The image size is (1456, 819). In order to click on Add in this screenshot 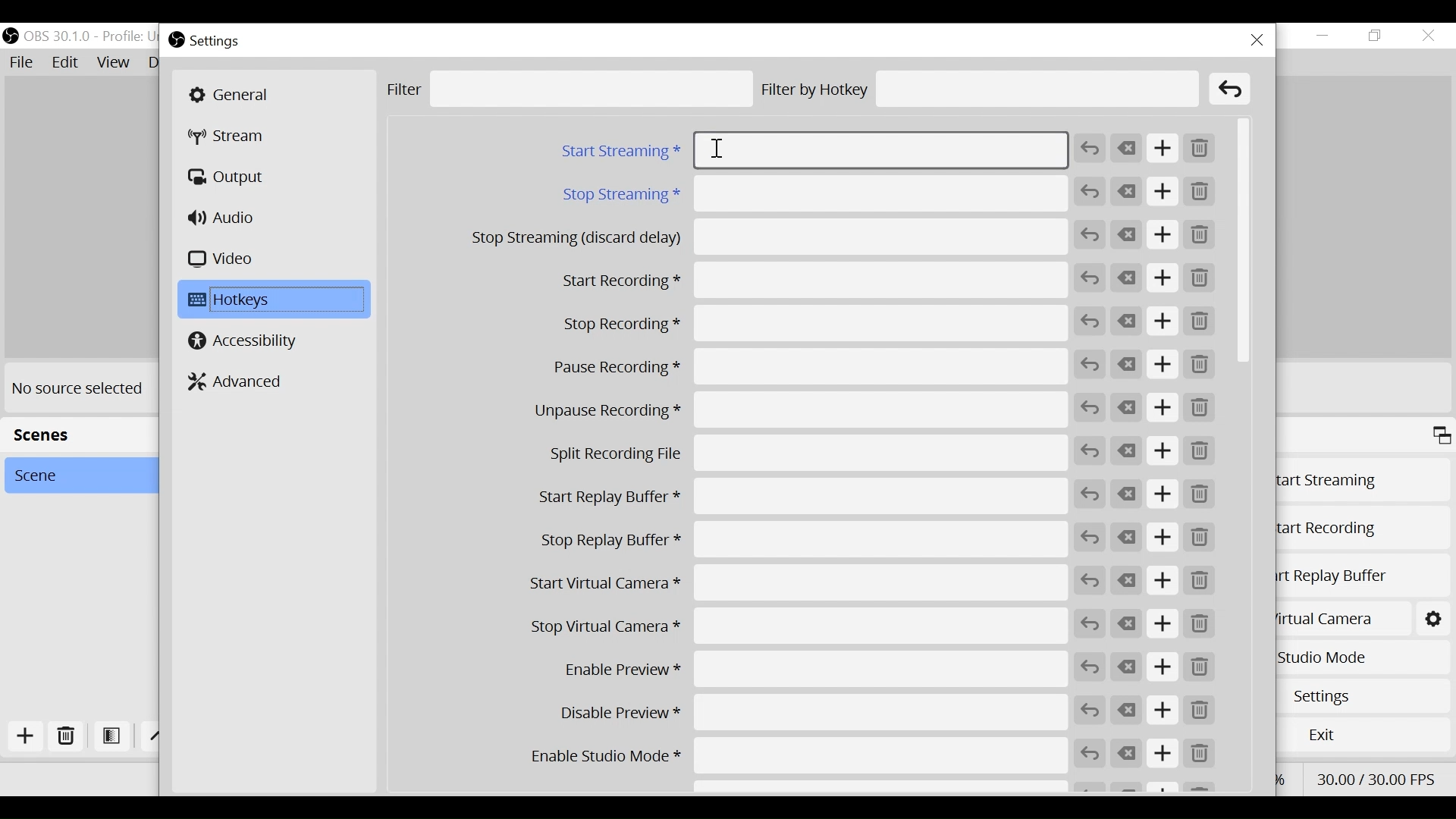, I will do `click(1166, 711)`.